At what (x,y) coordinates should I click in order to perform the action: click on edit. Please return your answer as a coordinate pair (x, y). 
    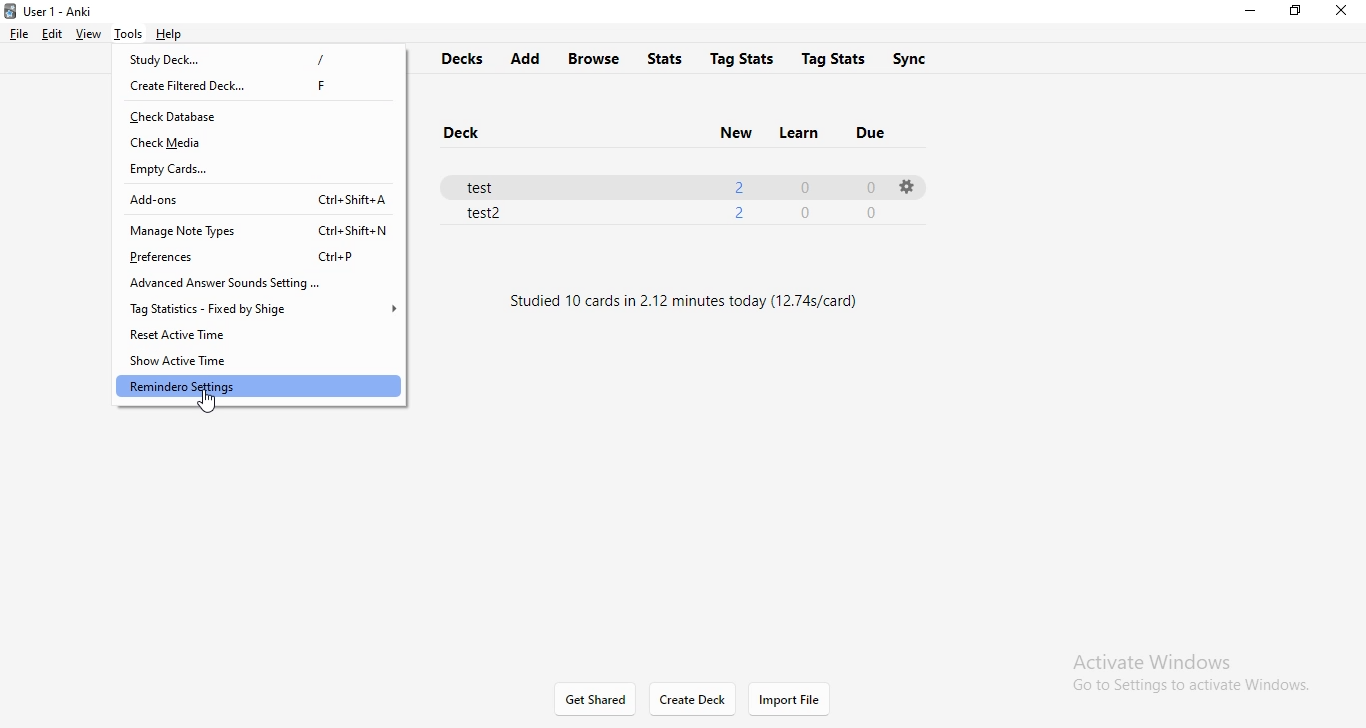
    Looking at the image, I should click on (50, 33).